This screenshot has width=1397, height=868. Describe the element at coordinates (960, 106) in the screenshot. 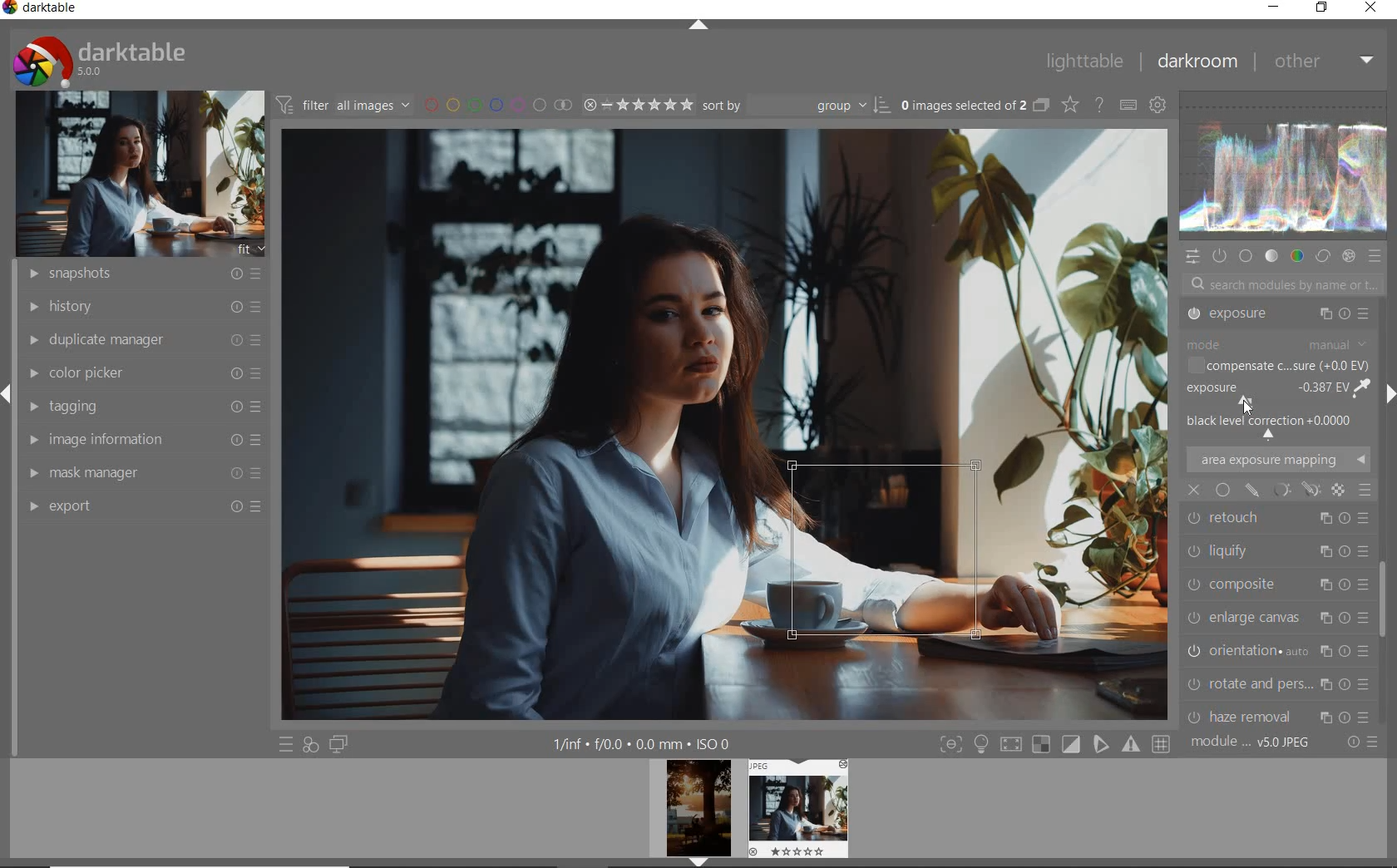

I see `SELECTED IMAGES` at that location.